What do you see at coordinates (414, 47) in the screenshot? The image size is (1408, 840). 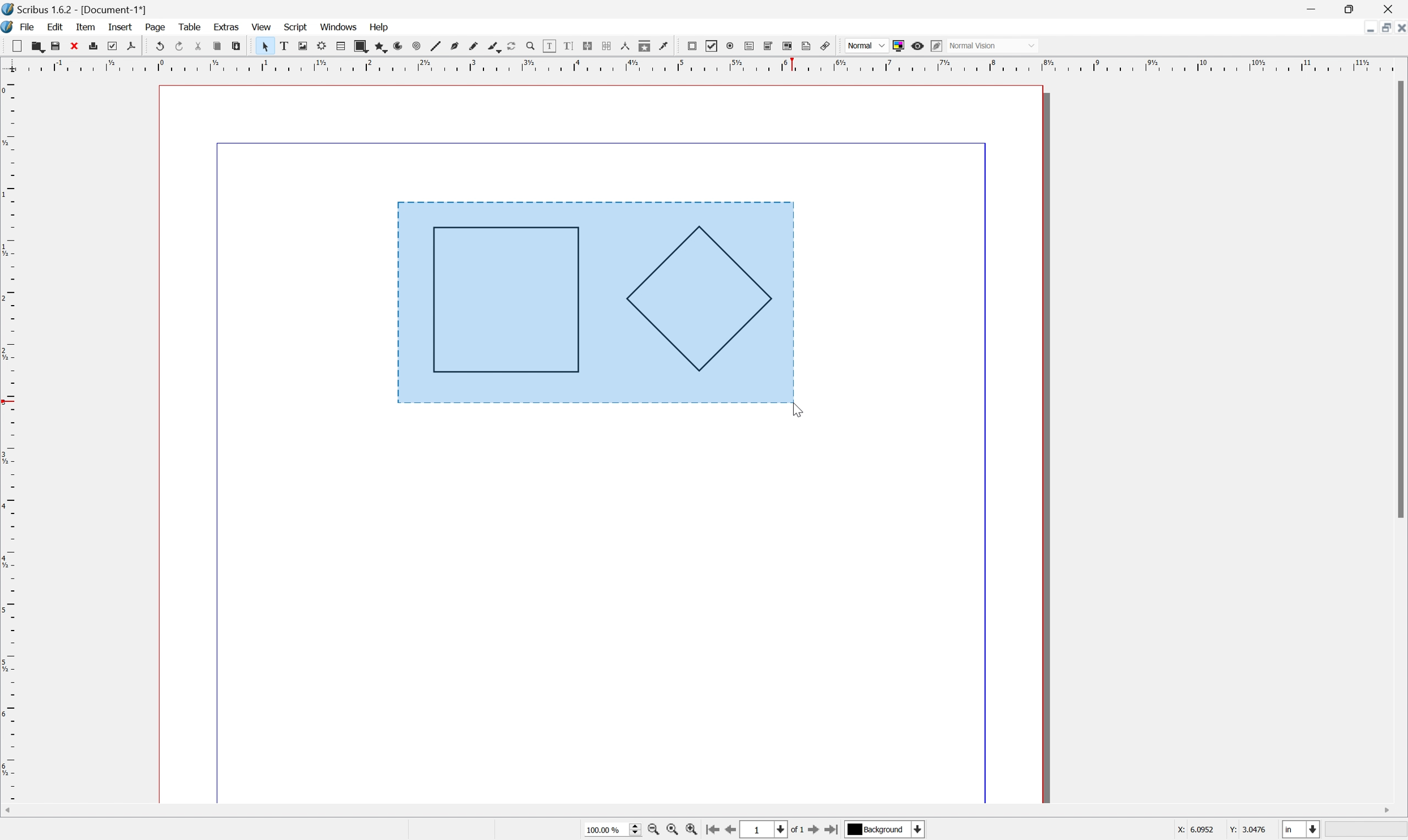 I see `spiral` at bounding box center [414, 47].